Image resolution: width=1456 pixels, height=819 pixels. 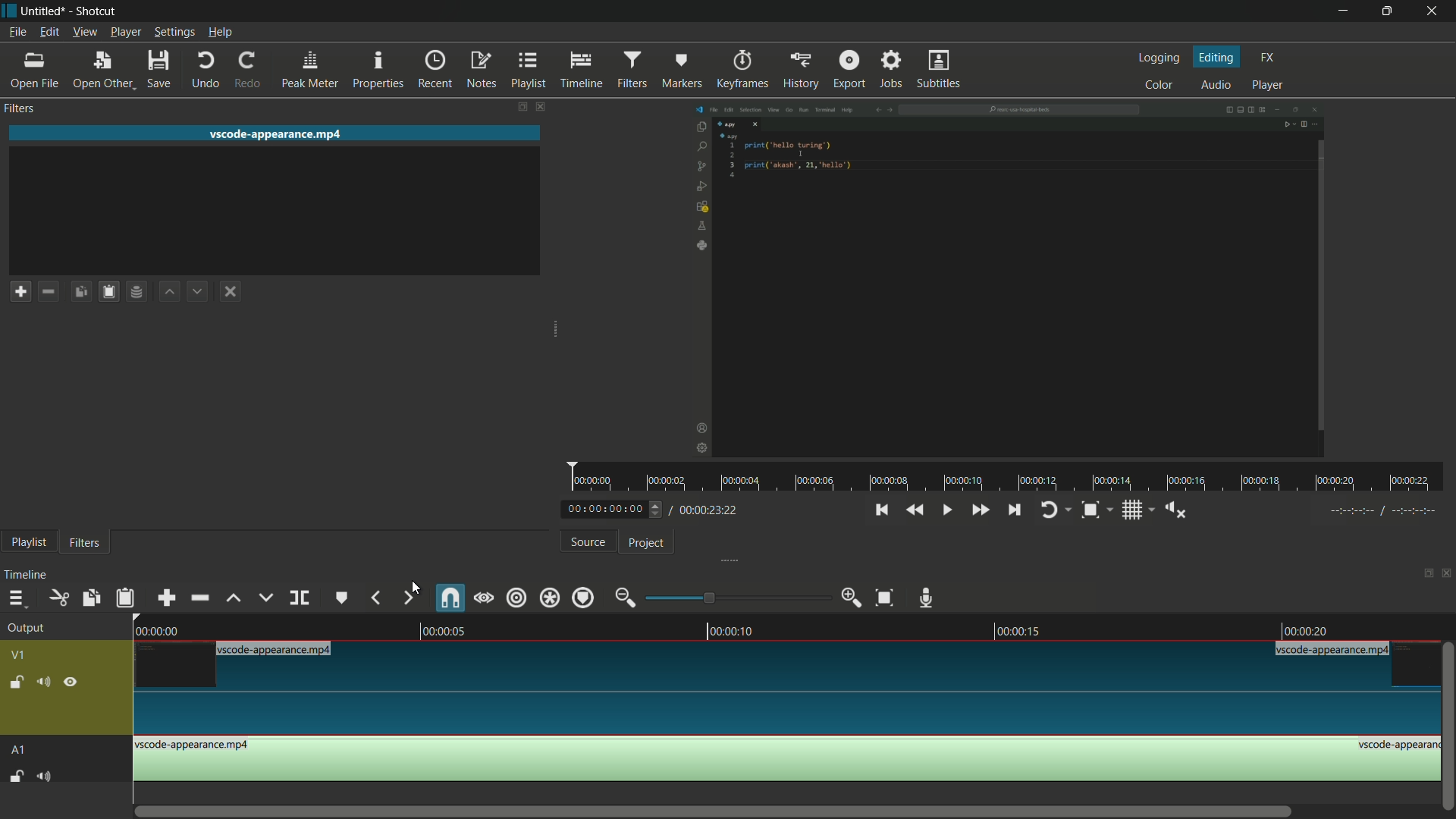 What do you see at coordinates (160, 69) in the screenshot?
I see `save` at bounding box center [160, 69].